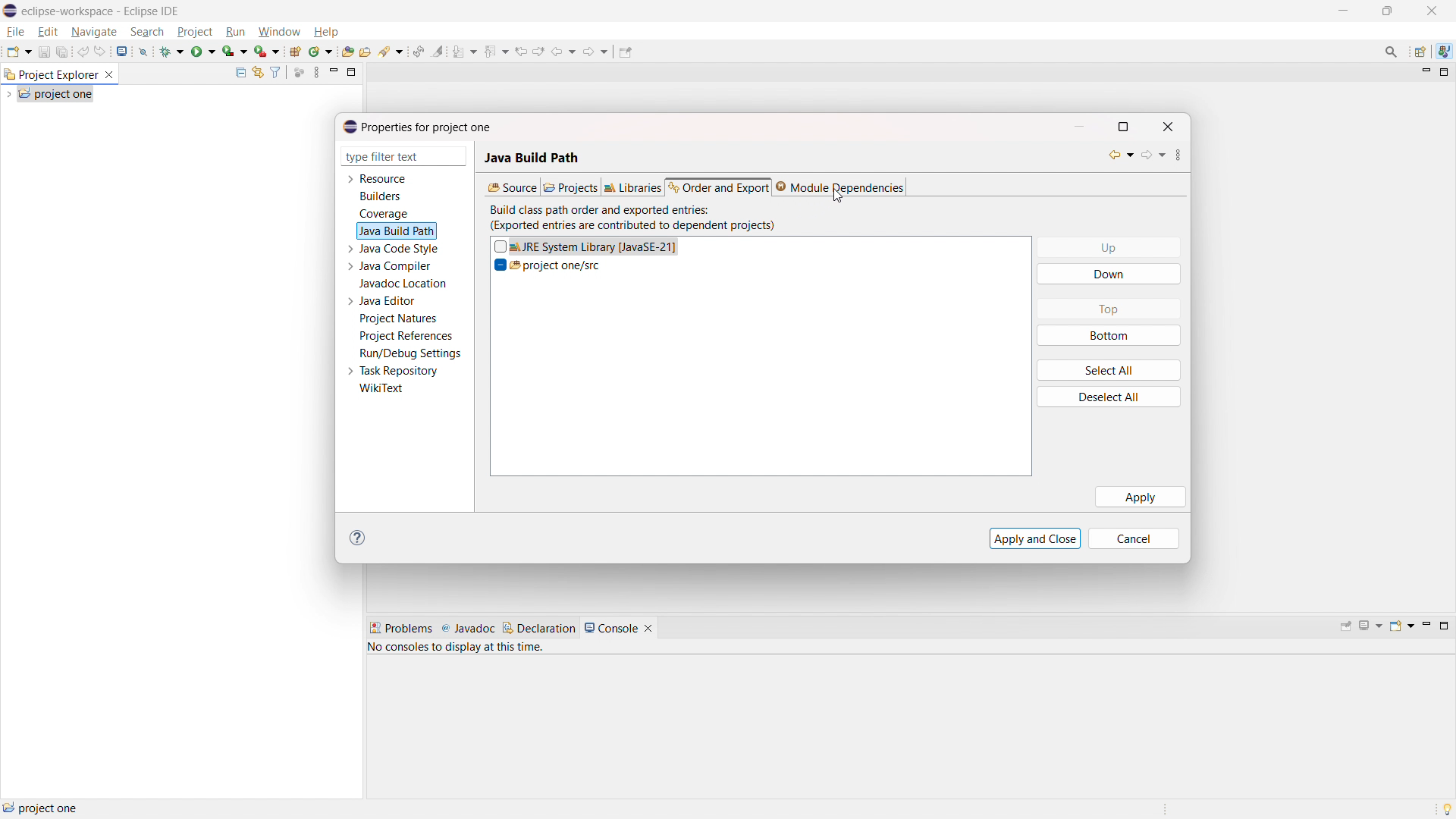 The width and height of the screenshot is (1456, 819). Describe the element at coordinates (1421, 52) in the screenshot. I see `open perspective` at that location.